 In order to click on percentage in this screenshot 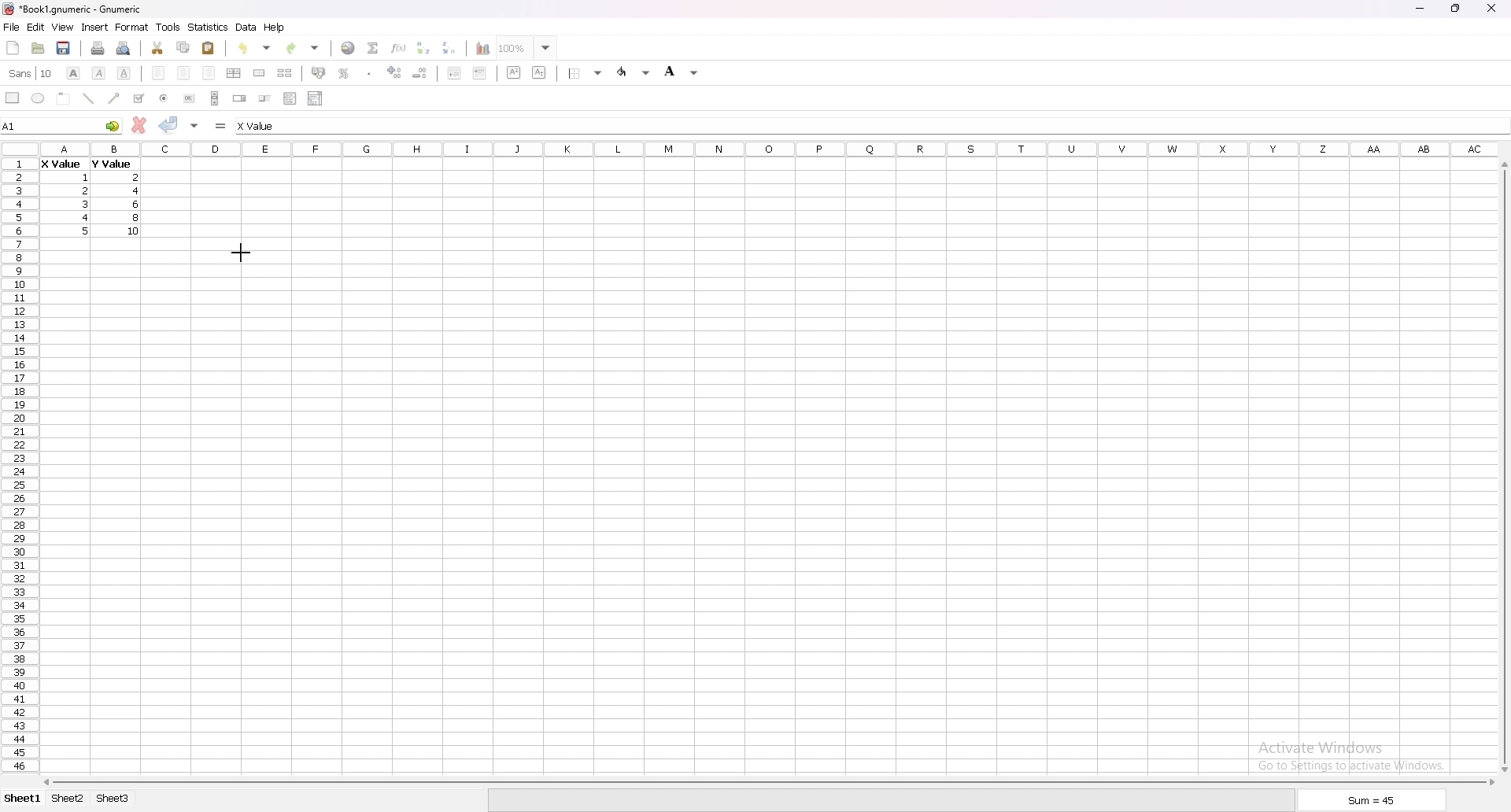, I will do `click(344, 73)`.